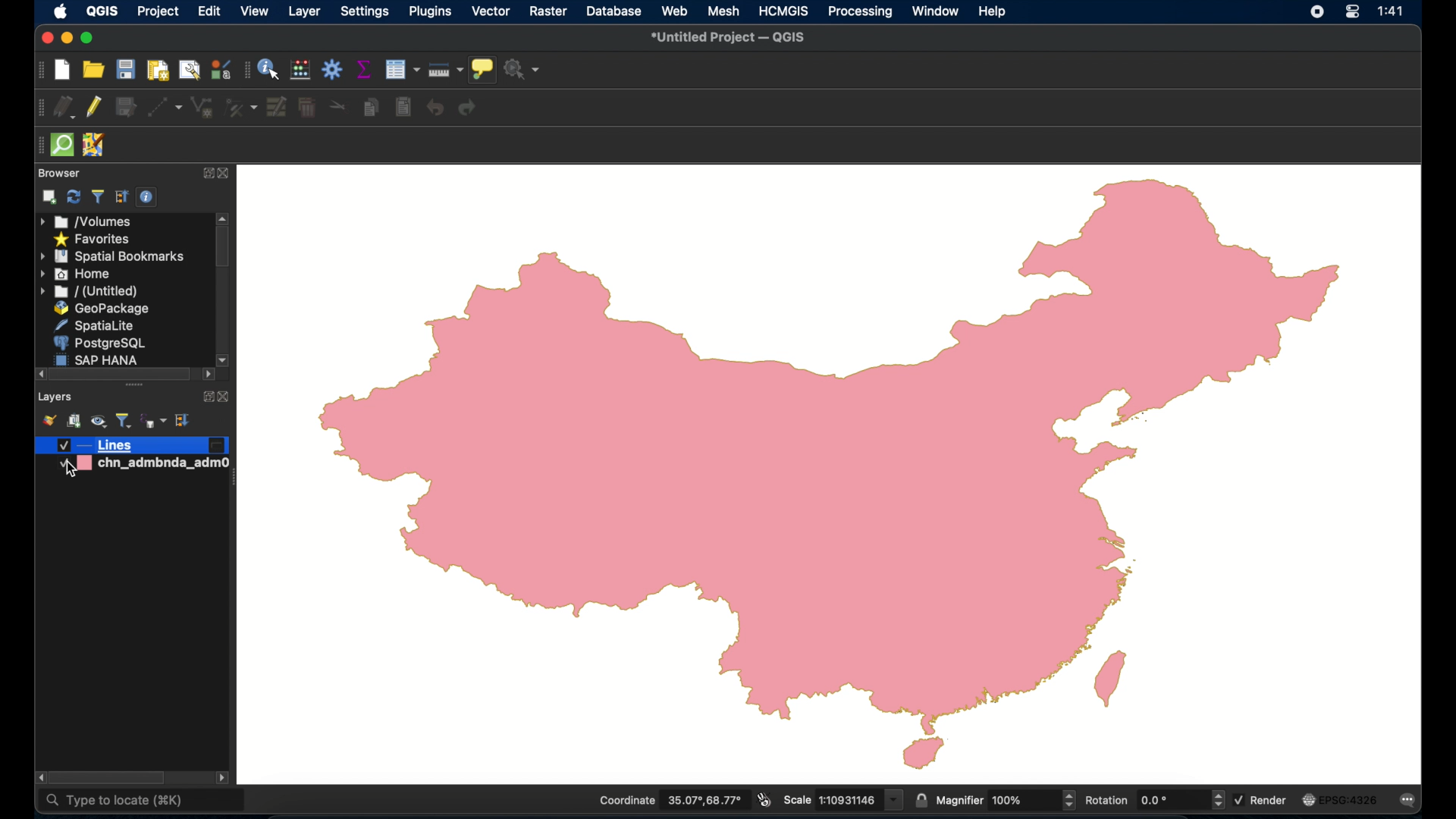 The width and height of the screenshot is (1456, 819). I want to click on spatiallite, so click(93, 325).